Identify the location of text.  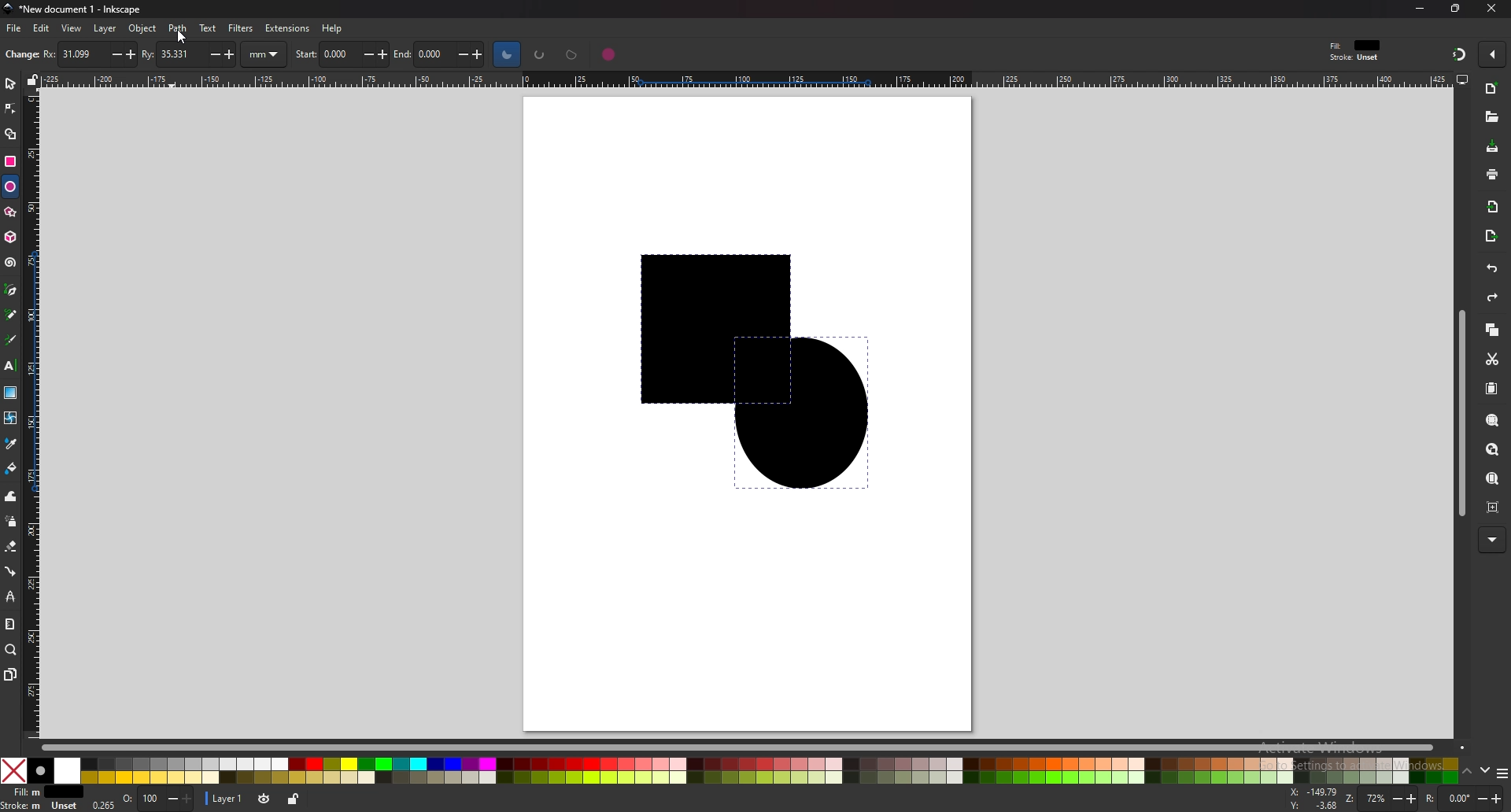
(208, 28).